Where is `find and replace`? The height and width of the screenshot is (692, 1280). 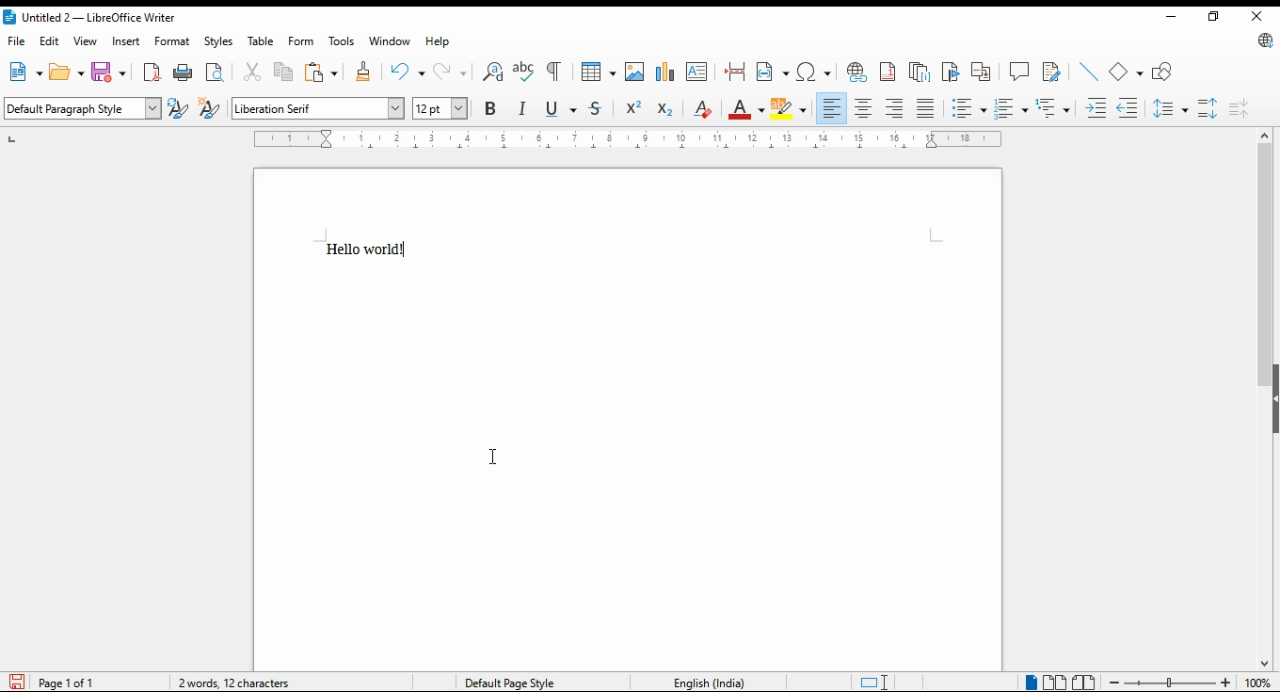
find and replace is located at coordinates (492, 72).